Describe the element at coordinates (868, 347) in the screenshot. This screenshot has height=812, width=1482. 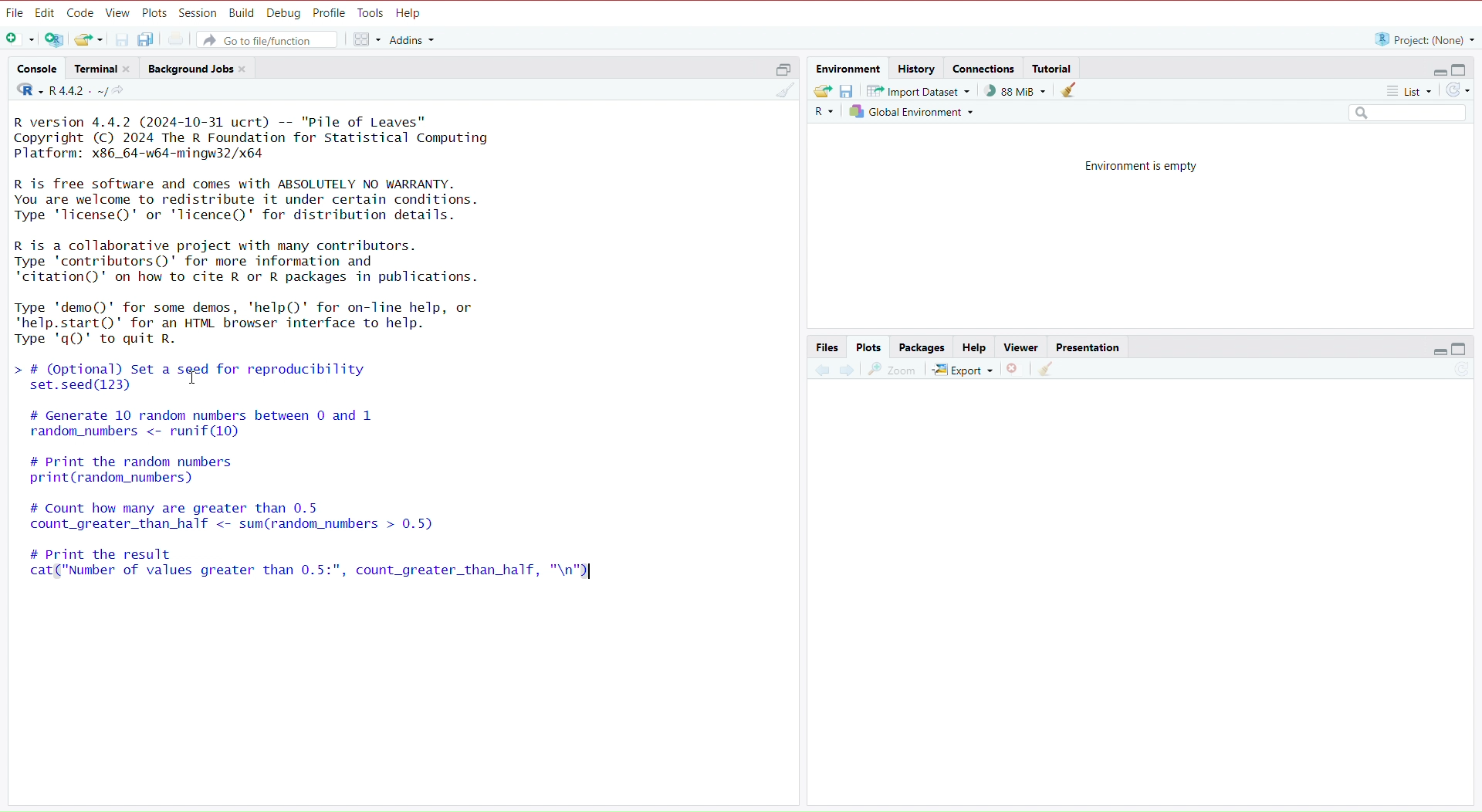
I see `Plots` at that location.